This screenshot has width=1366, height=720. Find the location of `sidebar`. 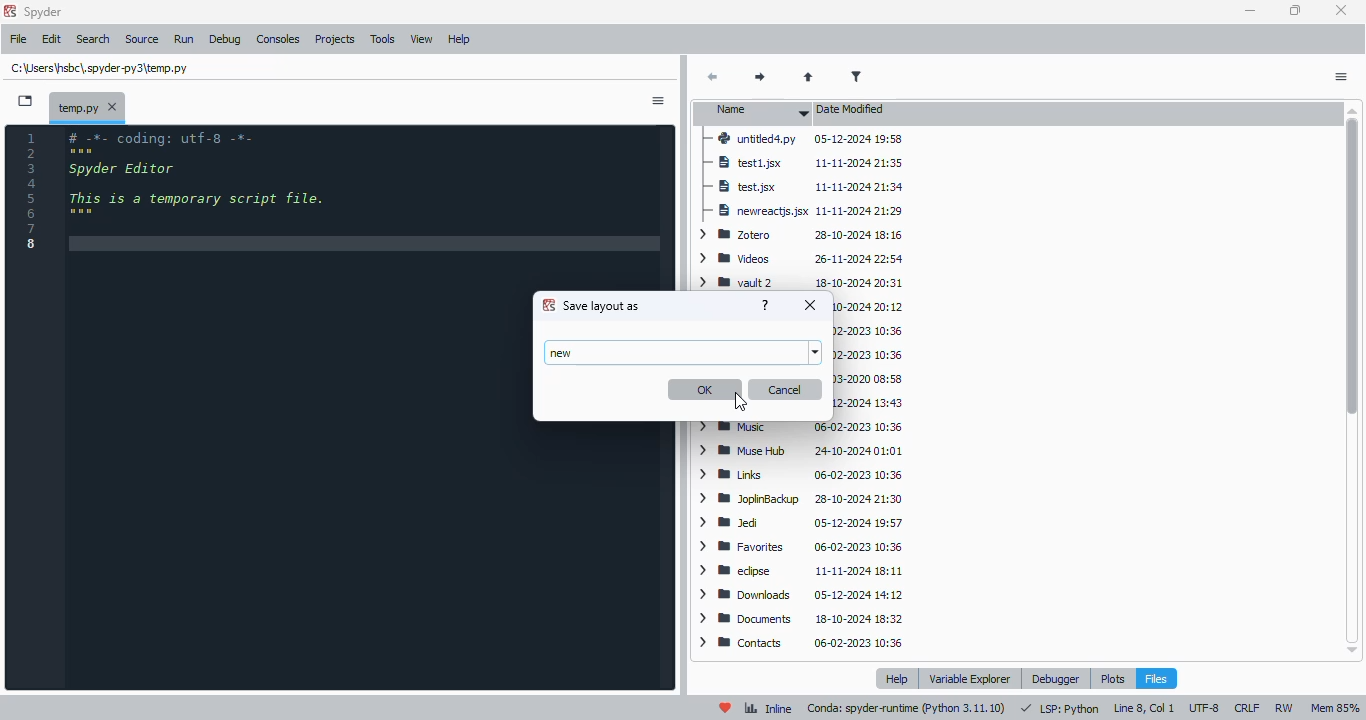

sidebar is located at coordinates (659, 102).